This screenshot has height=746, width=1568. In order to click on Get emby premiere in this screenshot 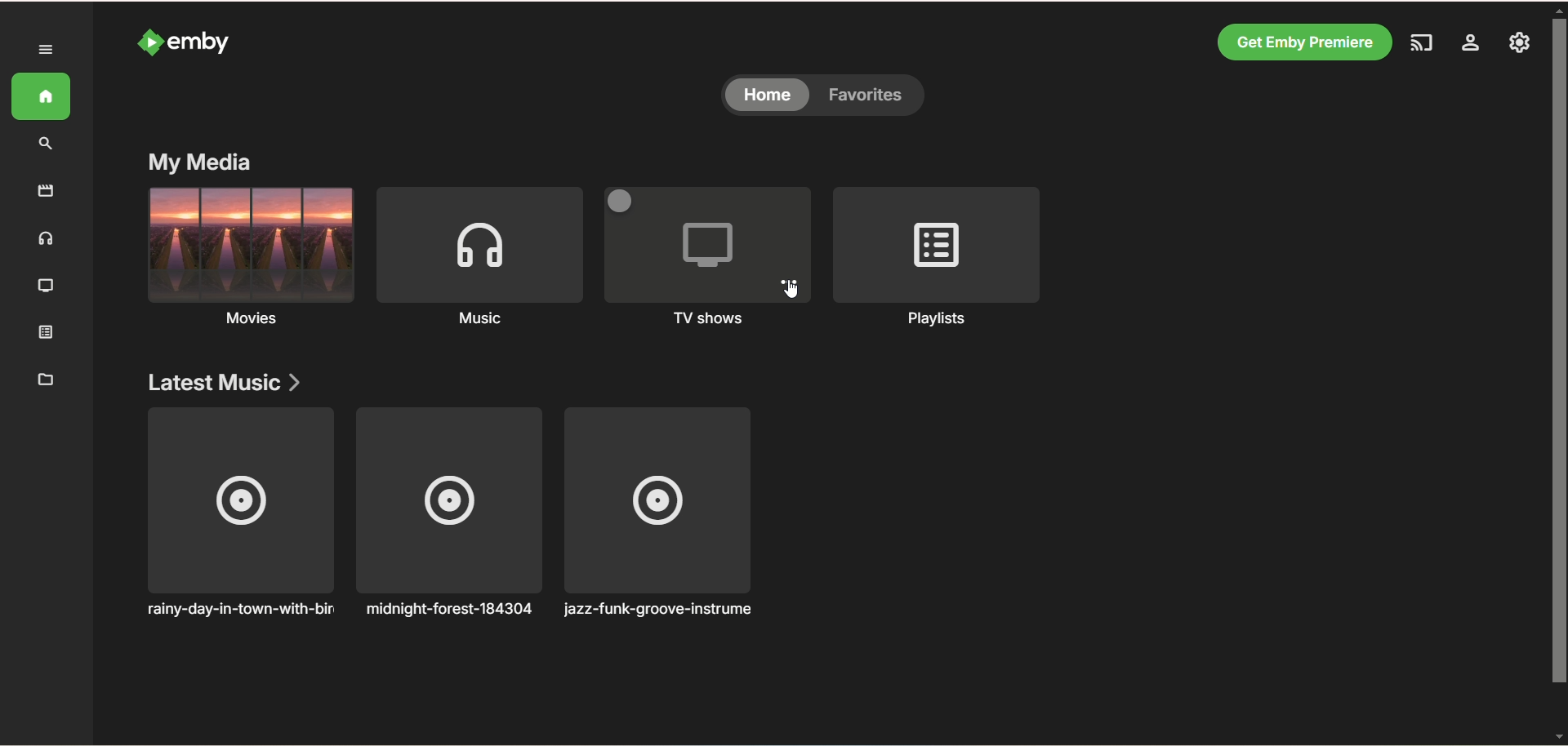, I will do `click(1303, 42)`.